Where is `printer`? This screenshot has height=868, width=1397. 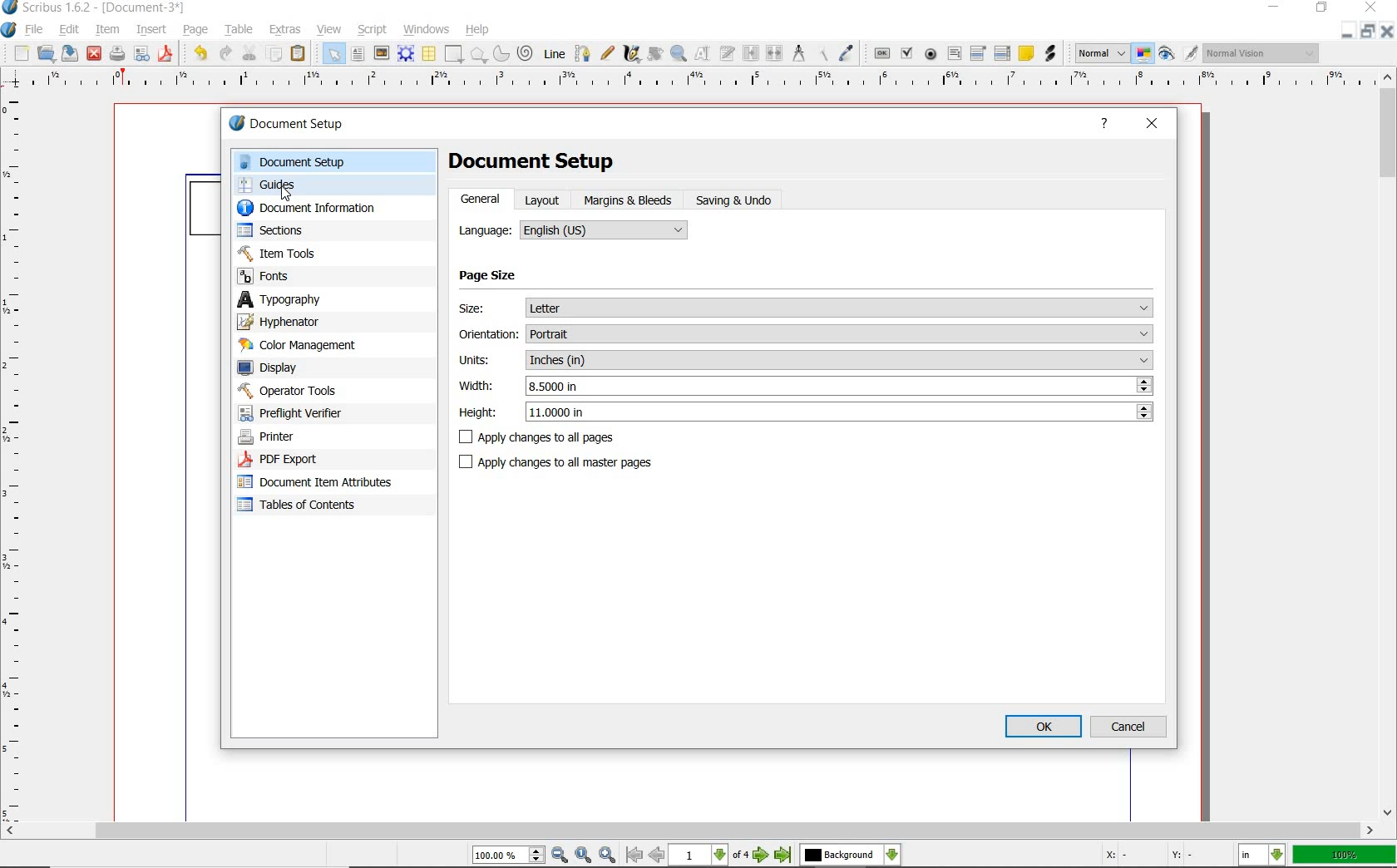
printer is located at coordinates (318, 437).